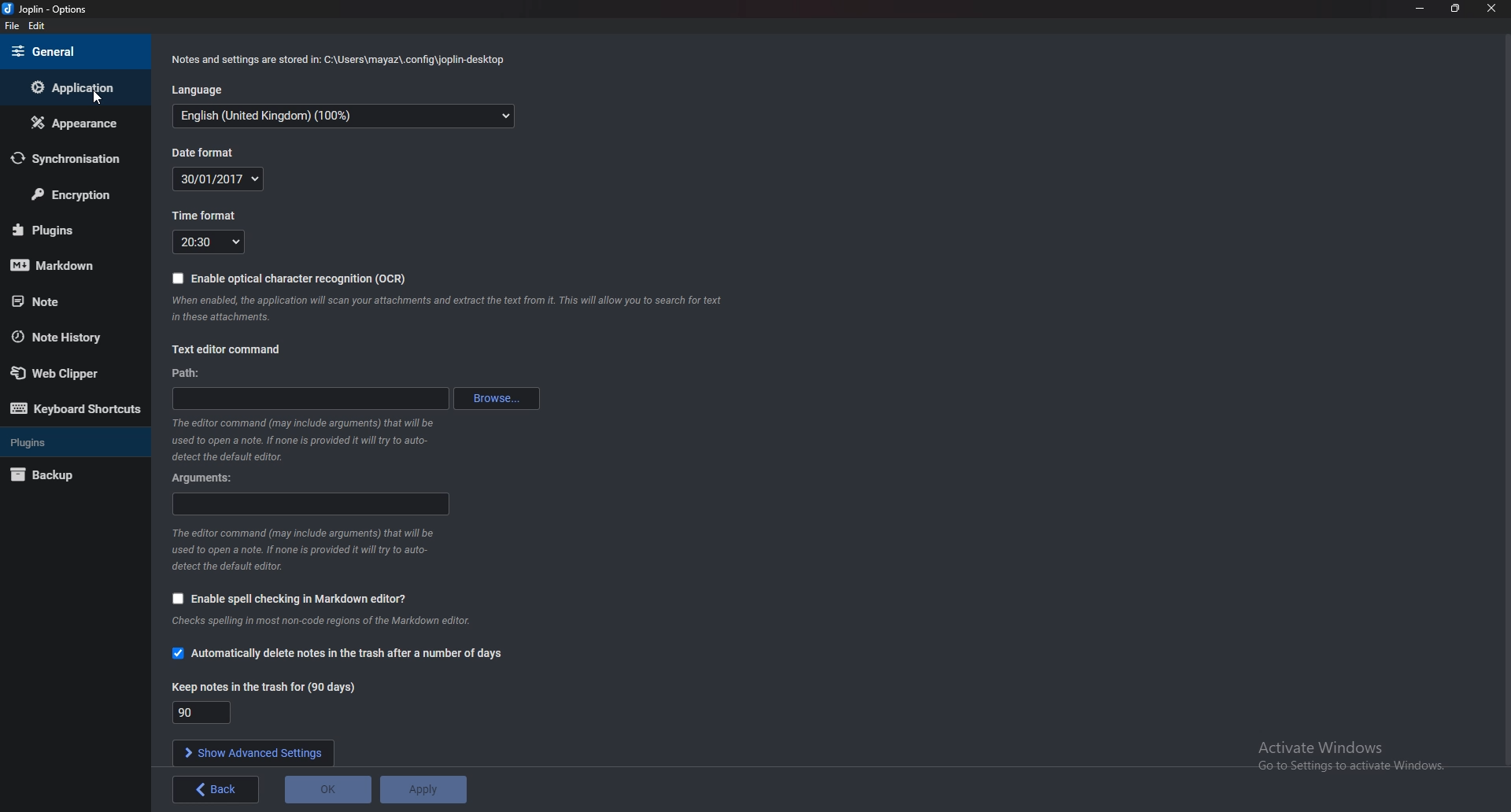  What do you see at coordinates (327, 789) in the screenshot?
I see `O K` at bounding box center [327, 789].